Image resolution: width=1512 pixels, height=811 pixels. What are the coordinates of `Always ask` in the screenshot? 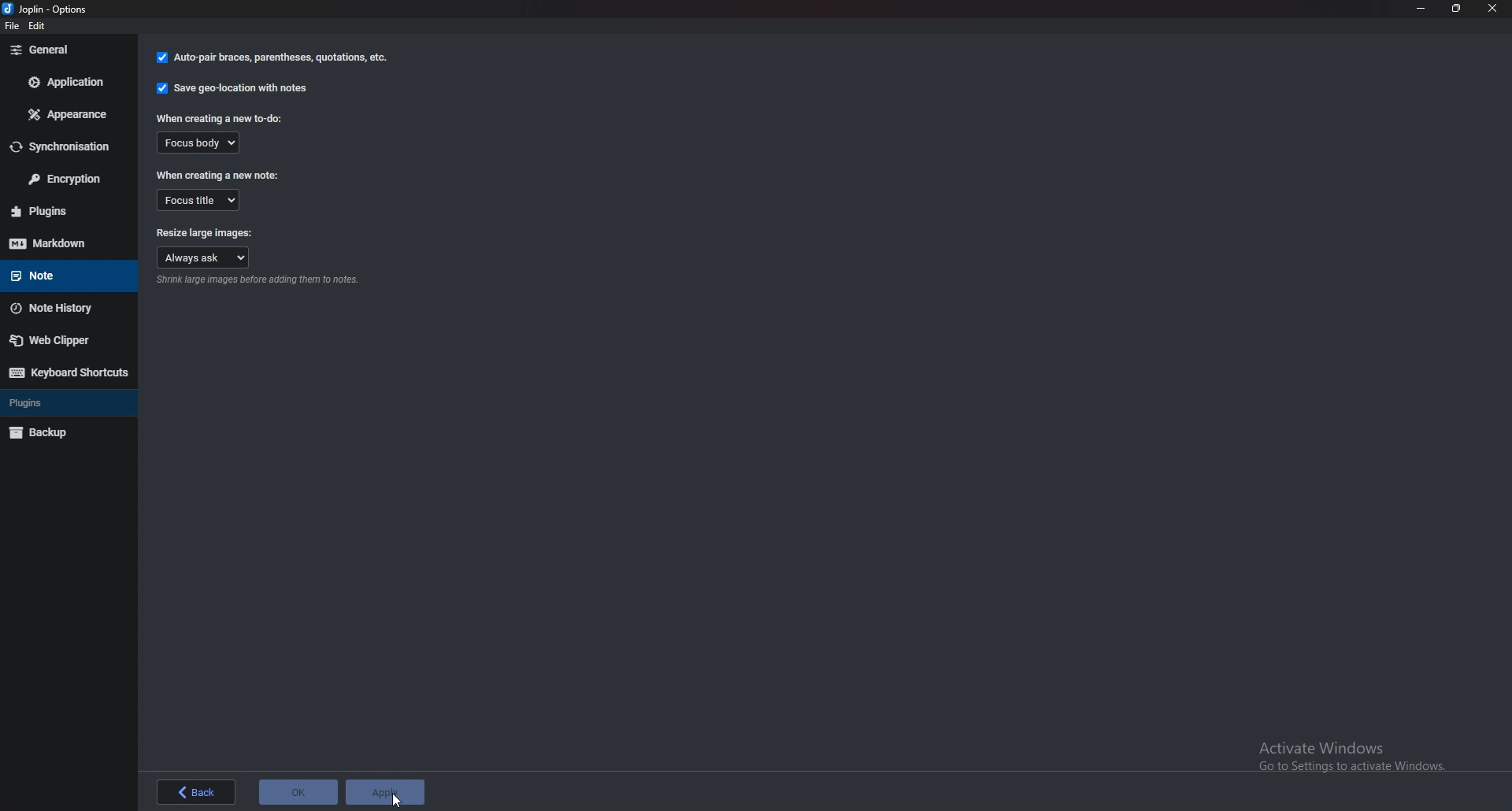 It's located at (205, 257).